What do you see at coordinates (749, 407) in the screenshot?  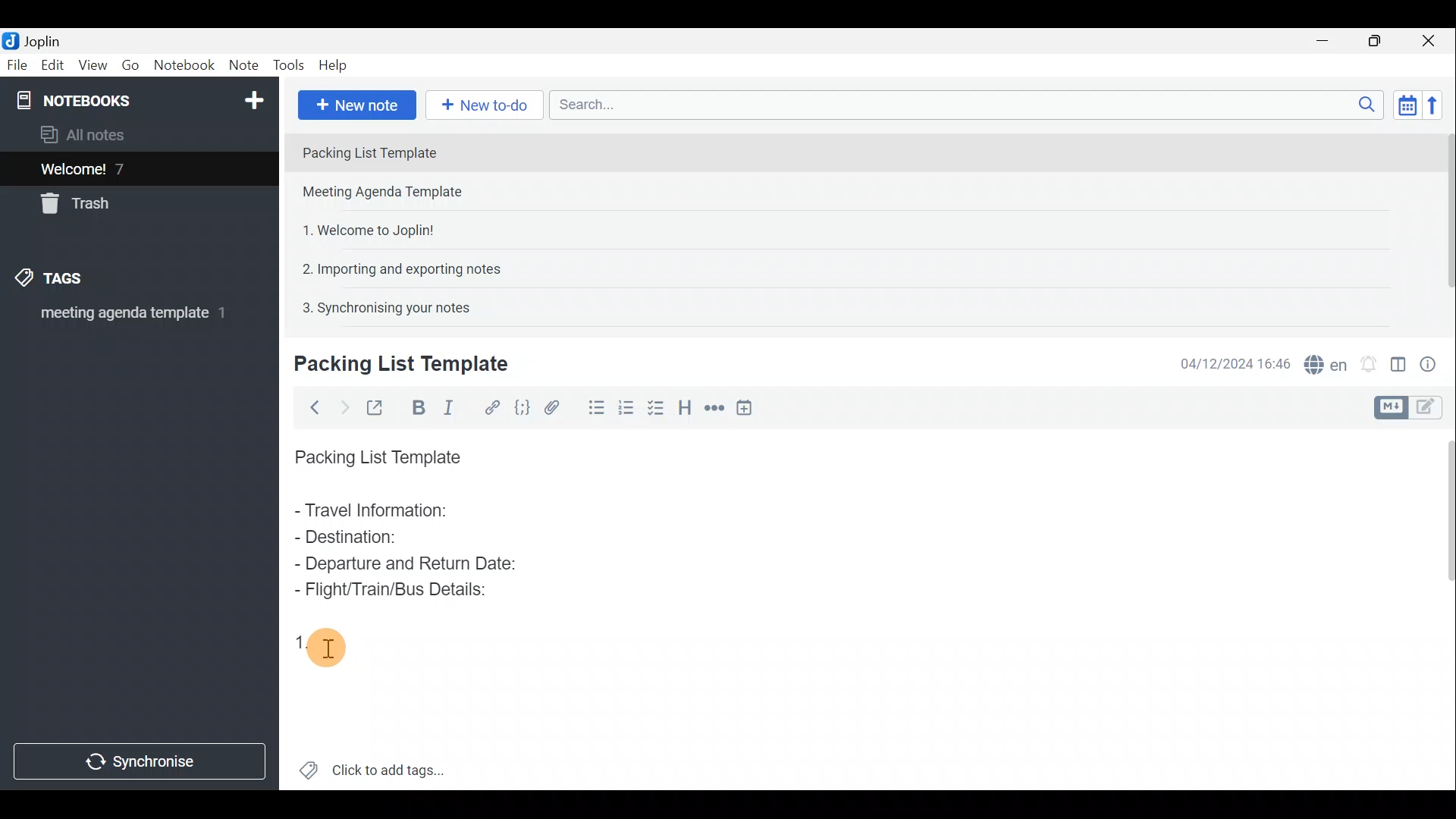 I see `Insert time` at bounding box center [749, 407].